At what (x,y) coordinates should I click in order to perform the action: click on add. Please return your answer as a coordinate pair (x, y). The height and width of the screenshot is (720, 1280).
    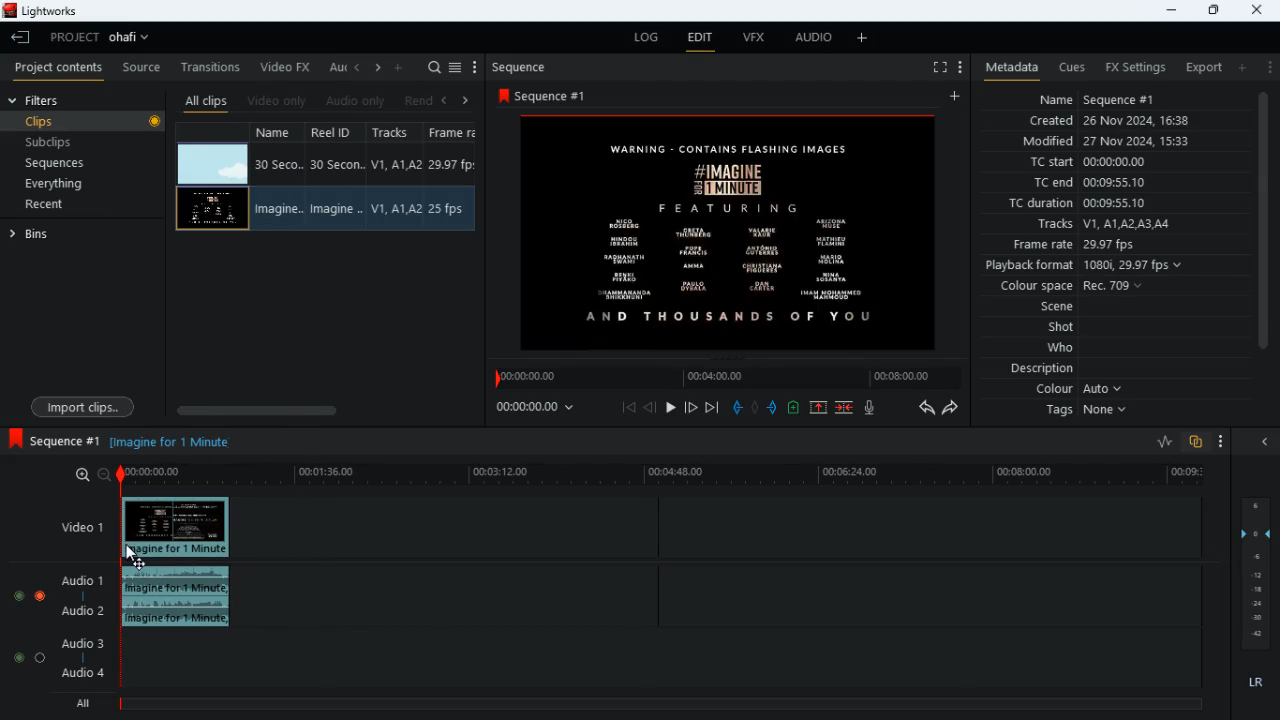
    Looking at the image, I should click on (957, 97).